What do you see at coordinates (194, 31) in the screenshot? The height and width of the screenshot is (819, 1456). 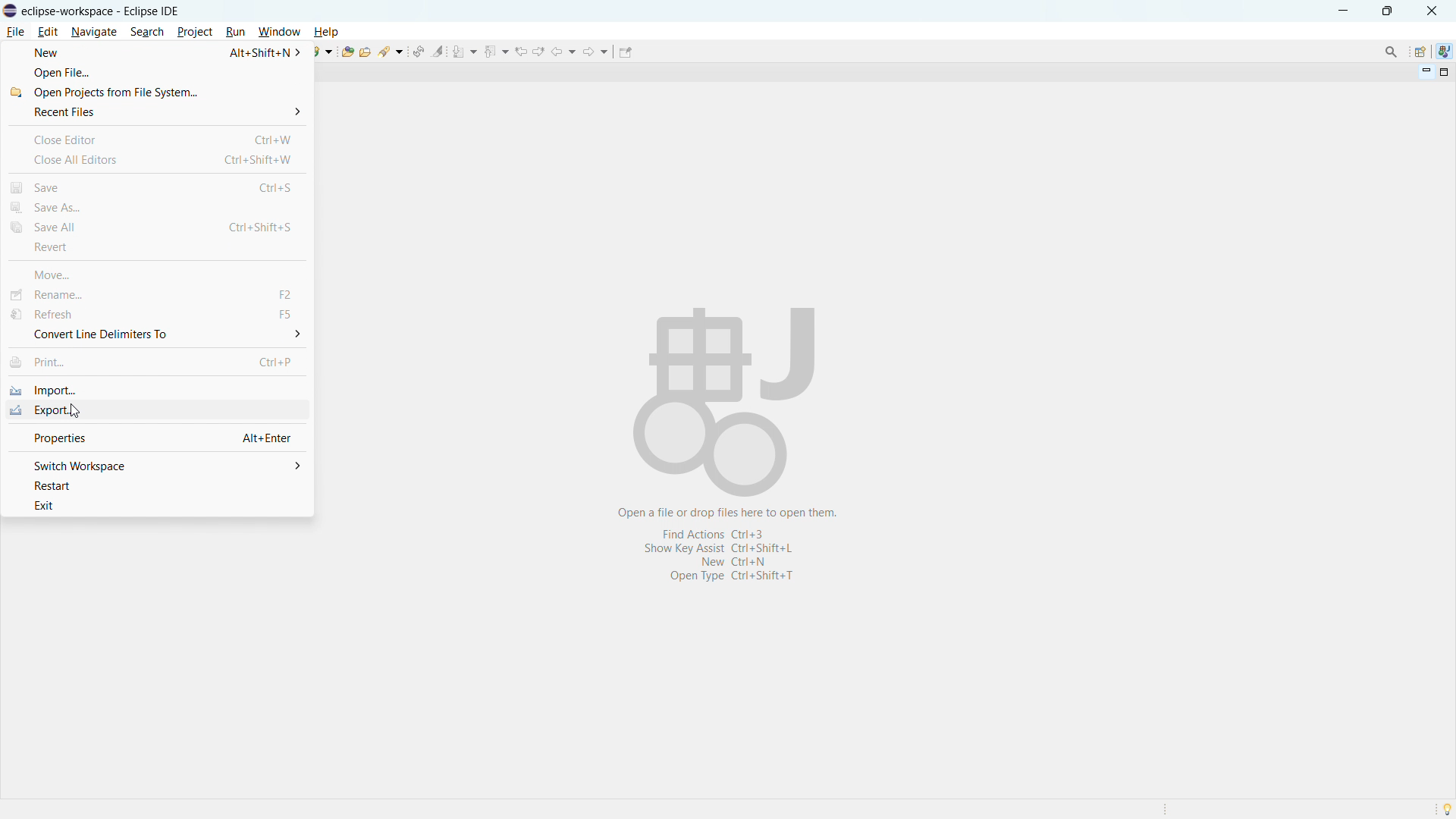 I see `project` at bounding box center [194, 31].